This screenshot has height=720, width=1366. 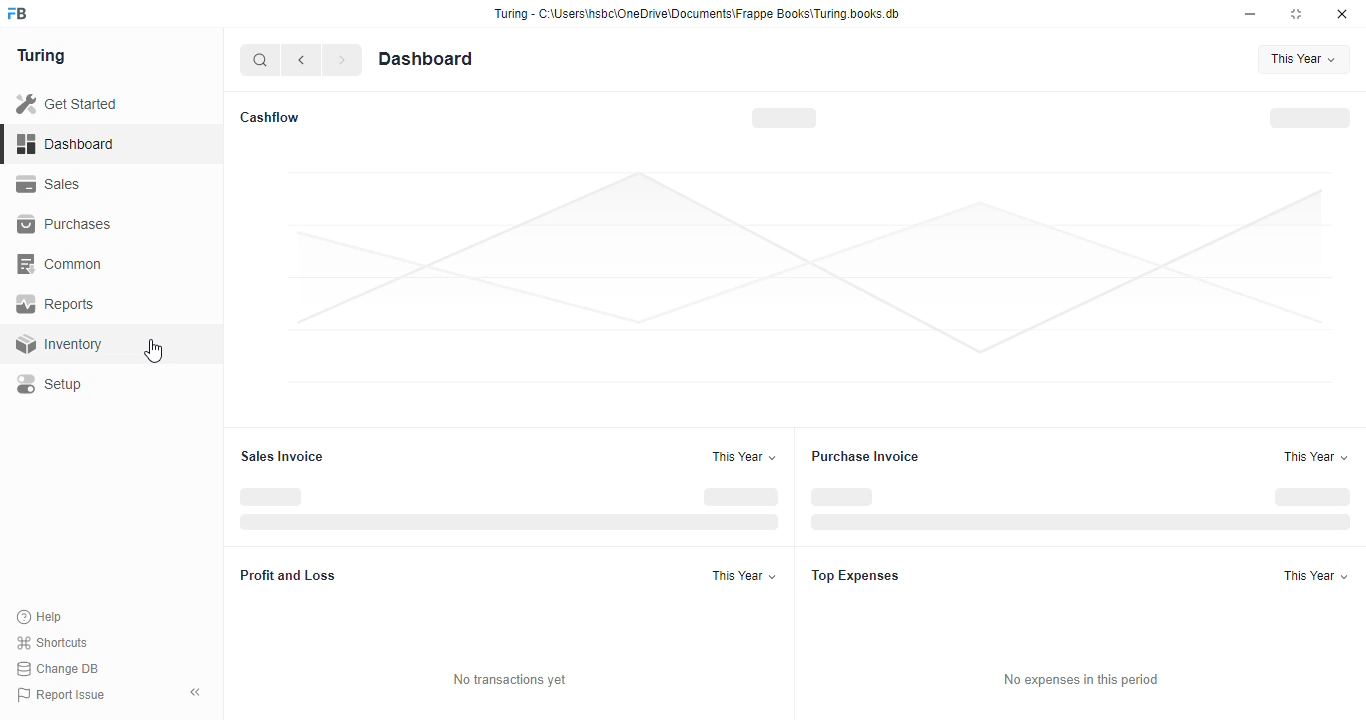 What do you see at coordinates (17, 13) in the screenshot?
I see `FB-logo` at bounding box center [17, 13].